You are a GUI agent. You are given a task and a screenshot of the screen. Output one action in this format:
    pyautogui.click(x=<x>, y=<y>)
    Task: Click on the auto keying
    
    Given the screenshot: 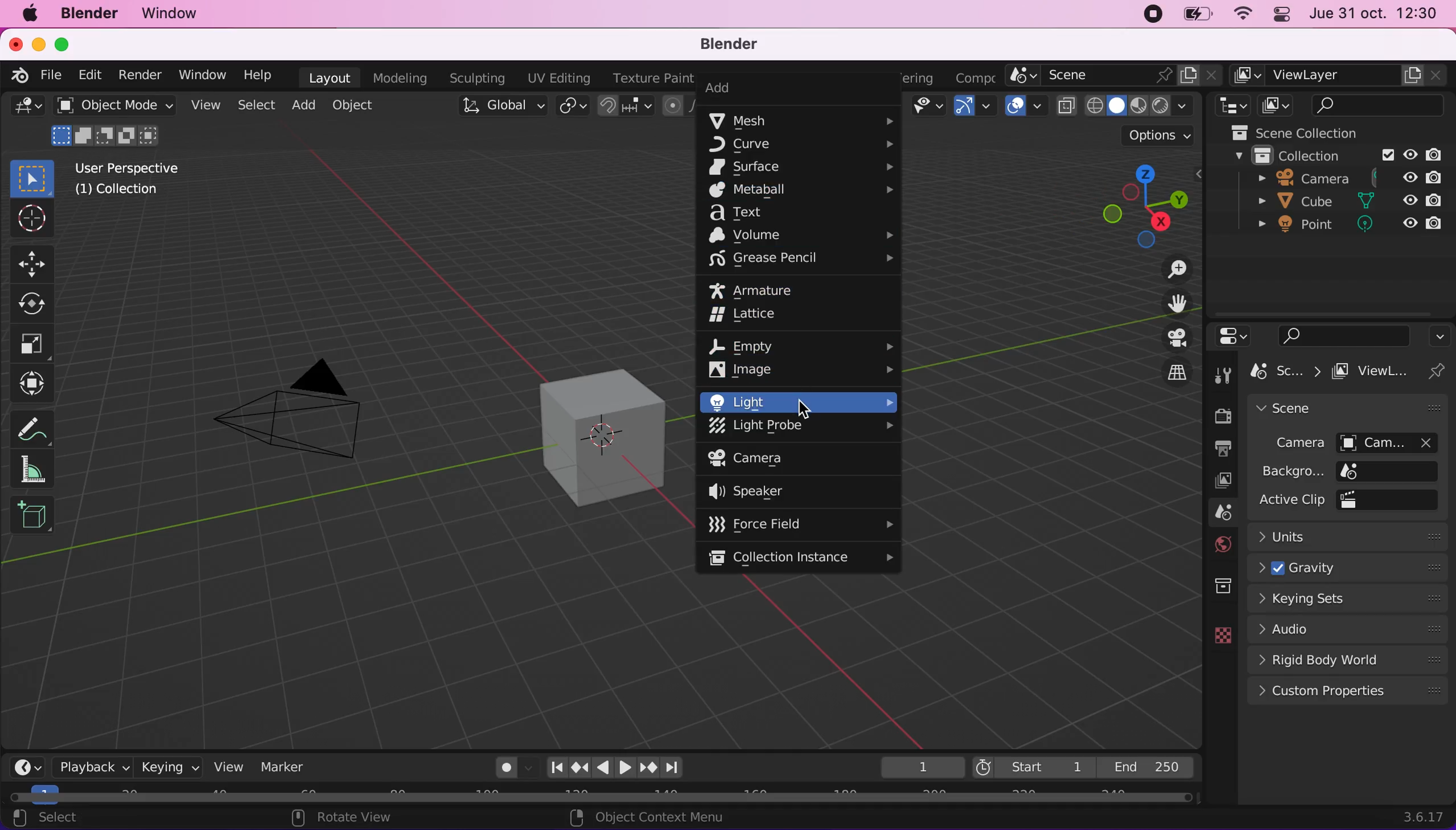 What is the action you would take?
    pyautogui.click(x=500, y=765)
    